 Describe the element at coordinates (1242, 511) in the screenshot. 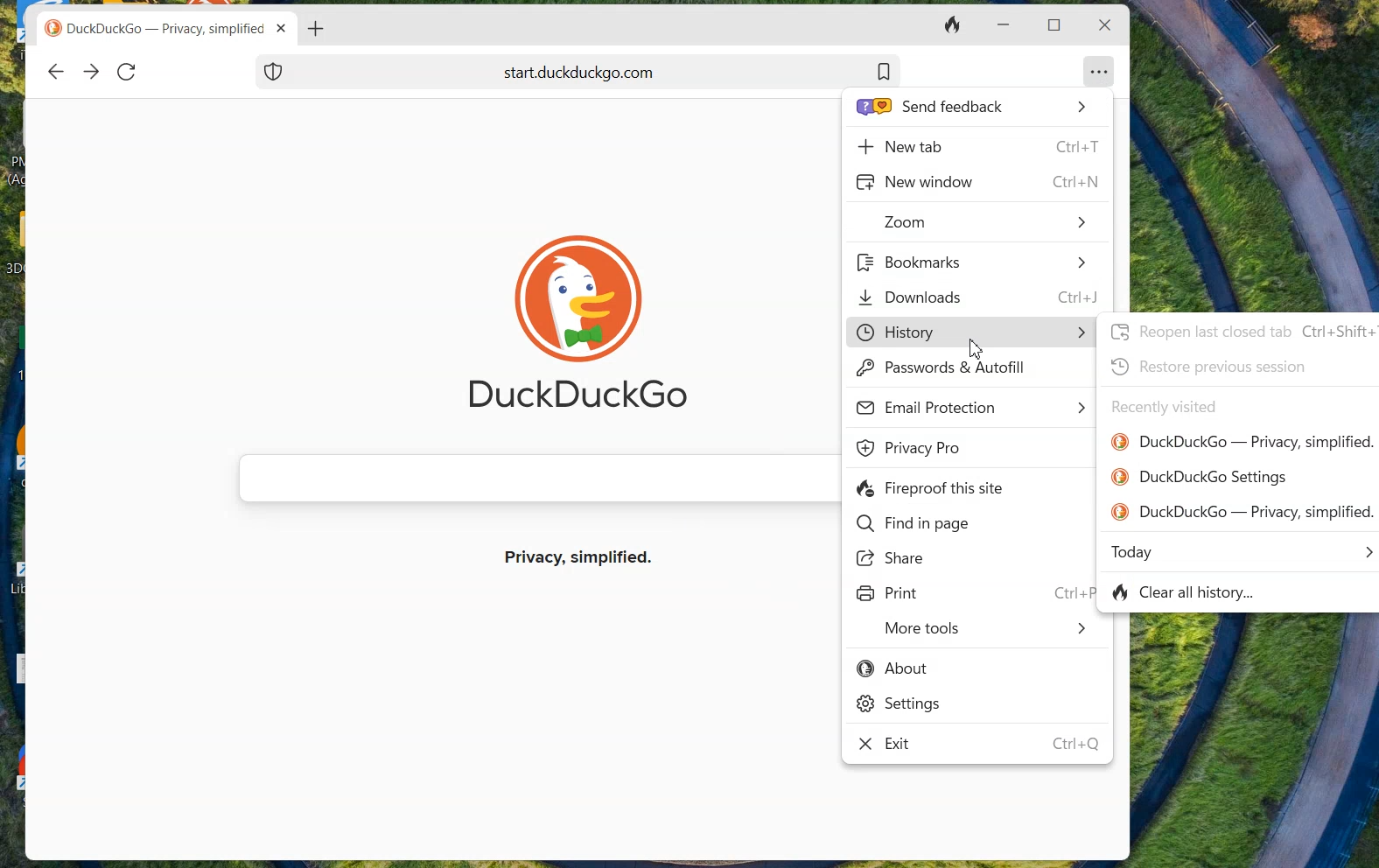

I see `DuckDuckGo - Privacy, simplified.` at that location.